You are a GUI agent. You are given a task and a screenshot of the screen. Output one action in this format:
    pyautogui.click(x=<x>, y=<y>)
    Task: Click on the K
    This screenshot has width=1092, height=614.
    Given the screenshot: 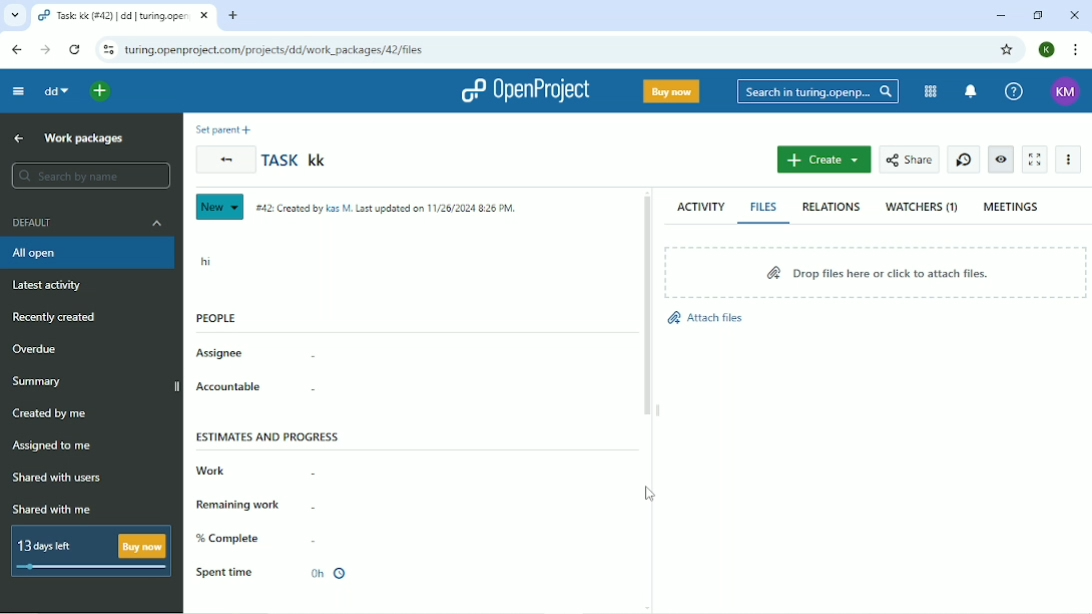 What is the action you would take?
    pyautogui.click(x=1048, y=49)
    